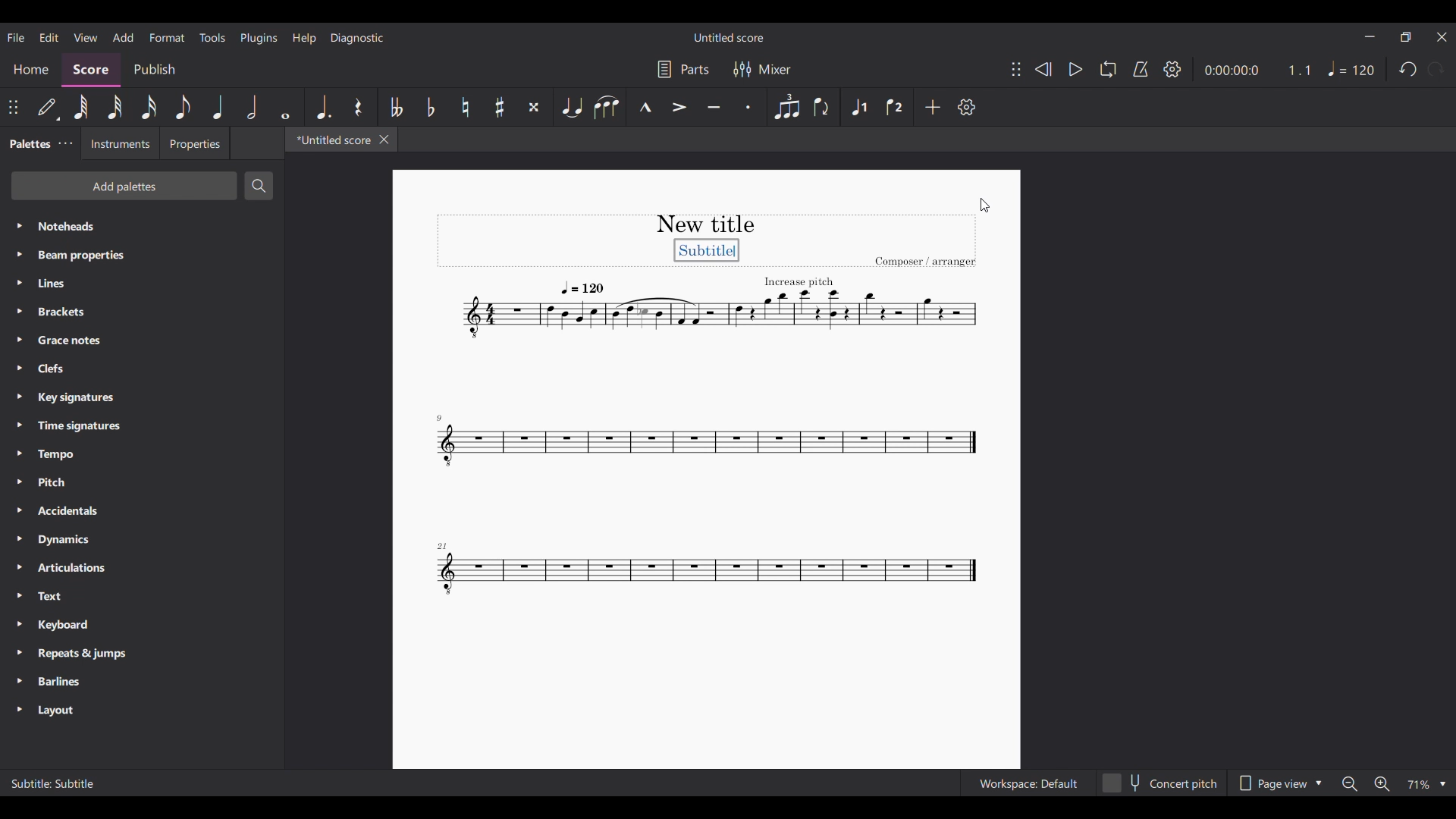  I want to click on Parts settings, so click(684, 69).